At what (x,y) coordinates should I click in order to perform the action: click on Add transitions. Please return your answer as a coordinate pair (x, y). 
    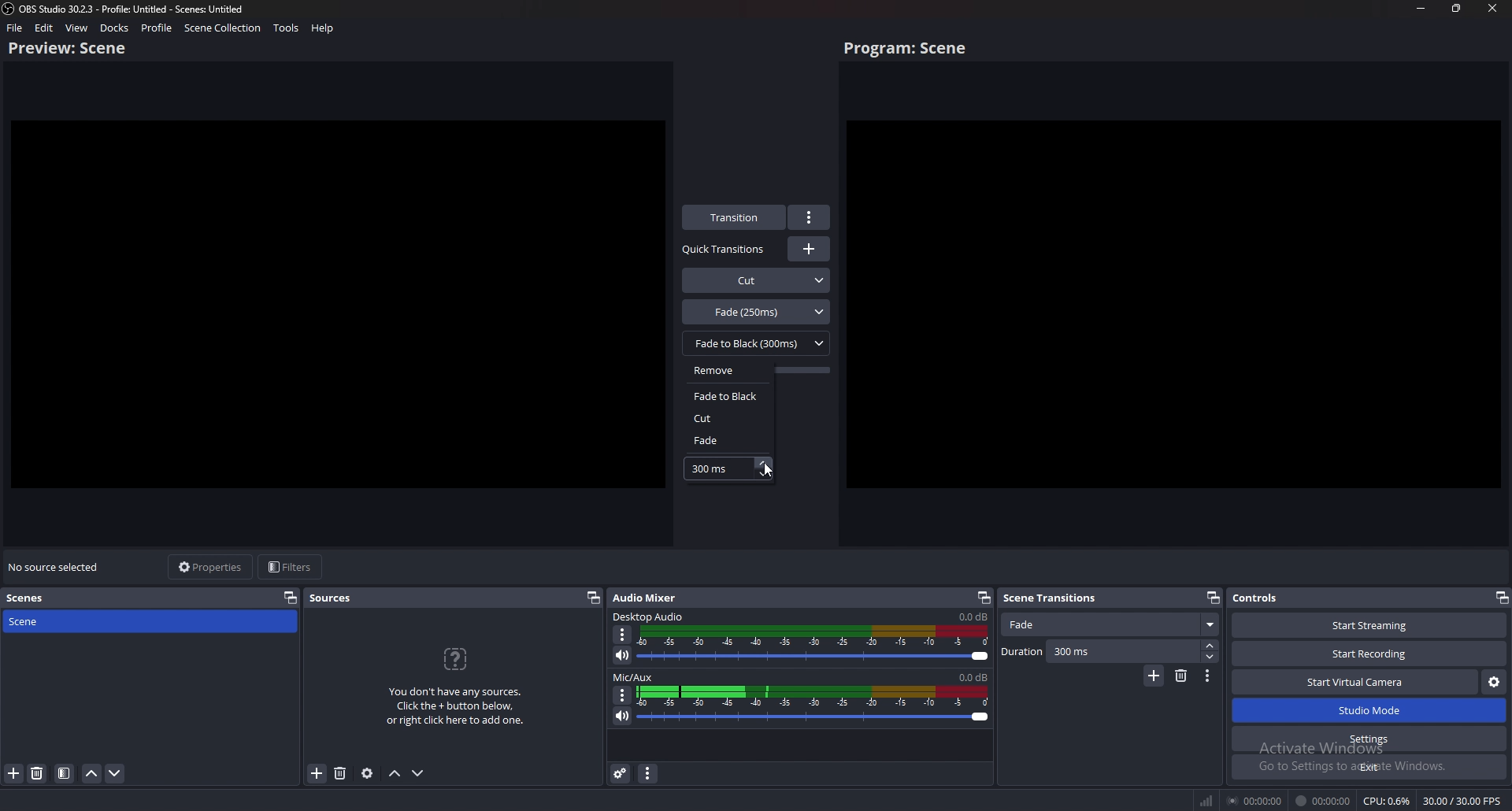
    Looking at the image, I should click on (809, 249).